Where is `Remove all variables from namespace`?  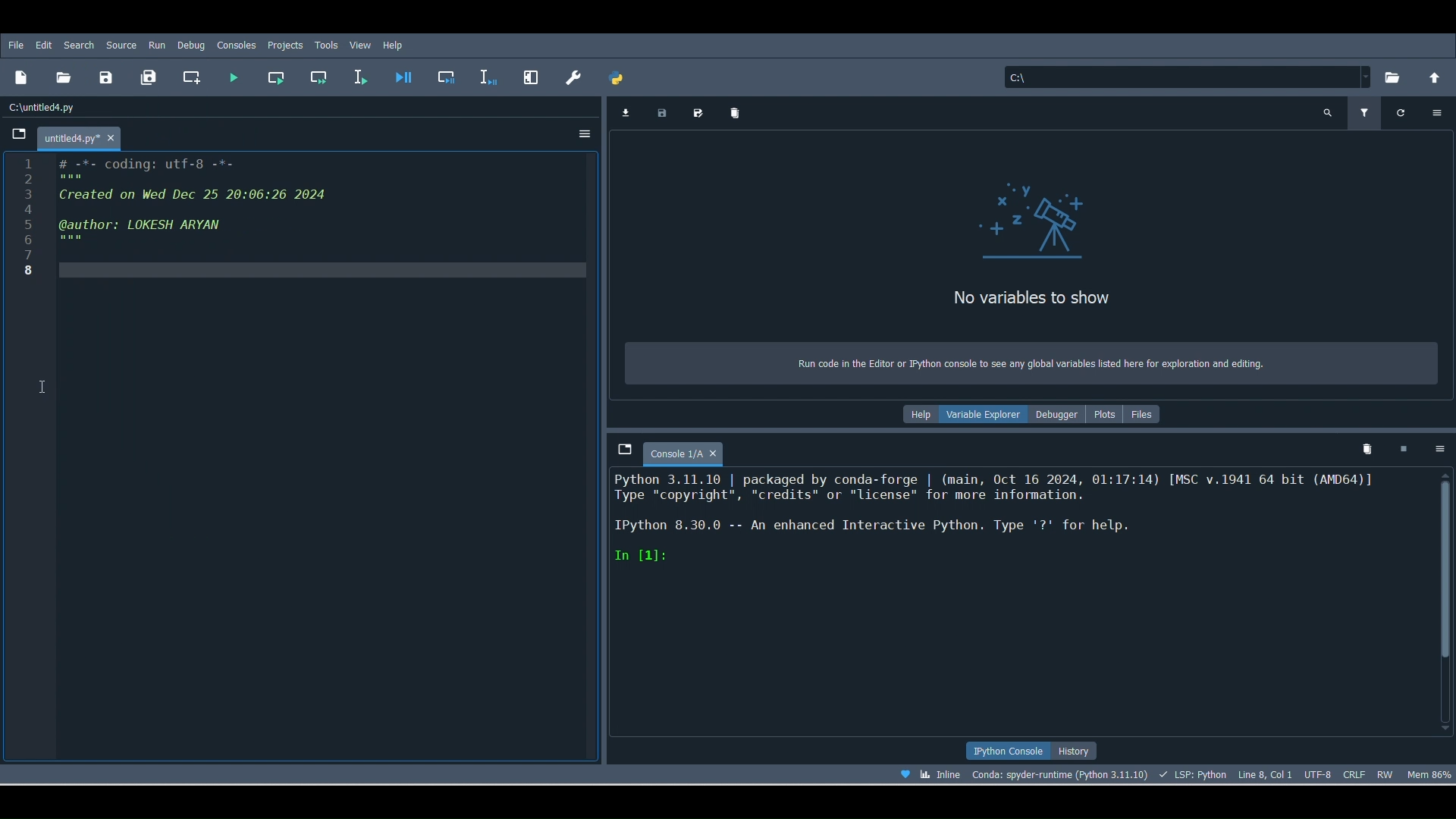 Remove all variables from namespace is located at coordinates (1369, 450).